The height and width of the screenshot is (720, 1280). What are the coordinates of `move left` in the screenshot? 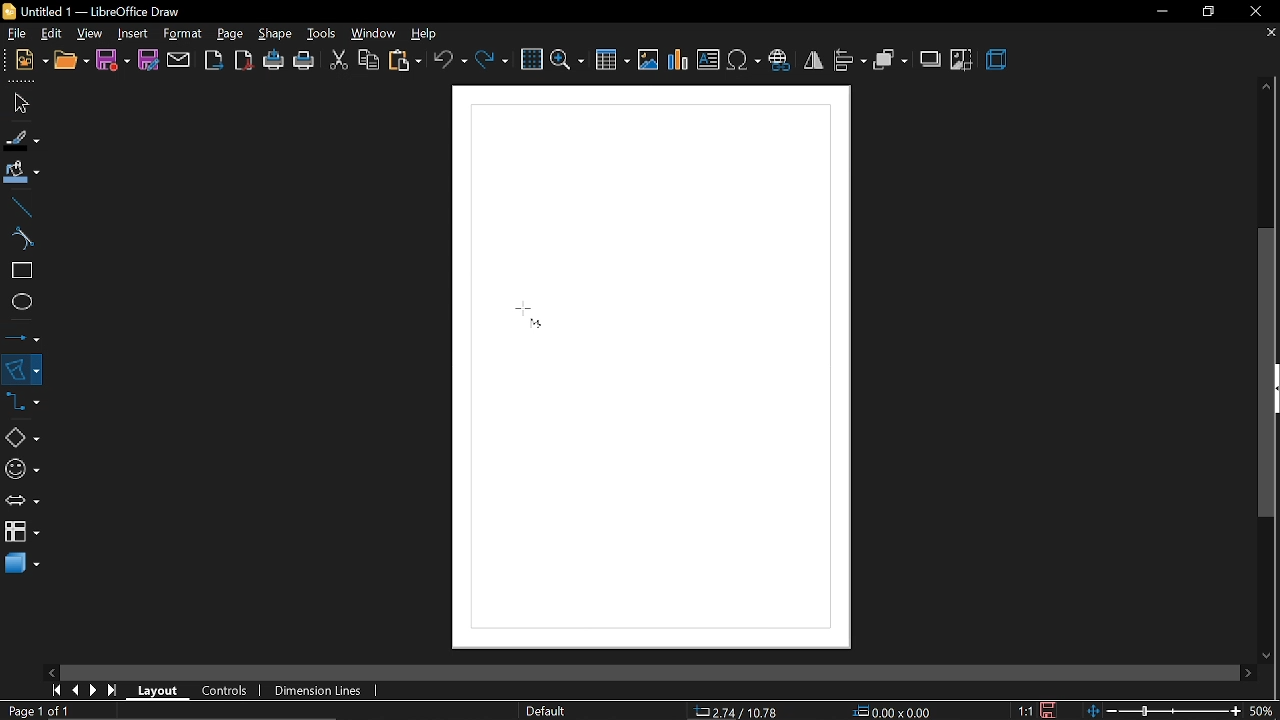 It's located at (51, 671).